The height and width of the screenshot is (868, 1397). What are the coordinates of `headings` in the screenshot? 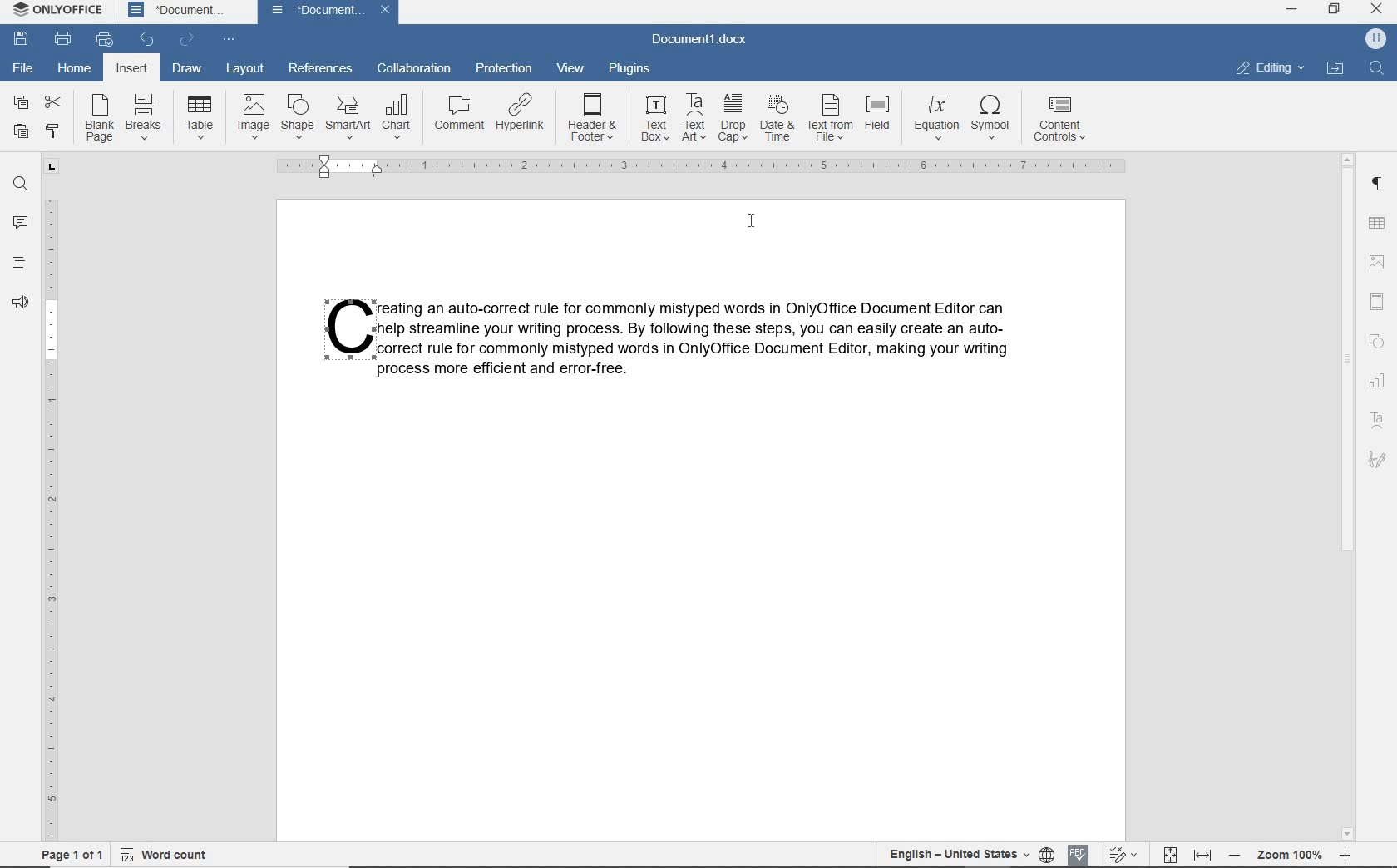 It's located at (18, 264).